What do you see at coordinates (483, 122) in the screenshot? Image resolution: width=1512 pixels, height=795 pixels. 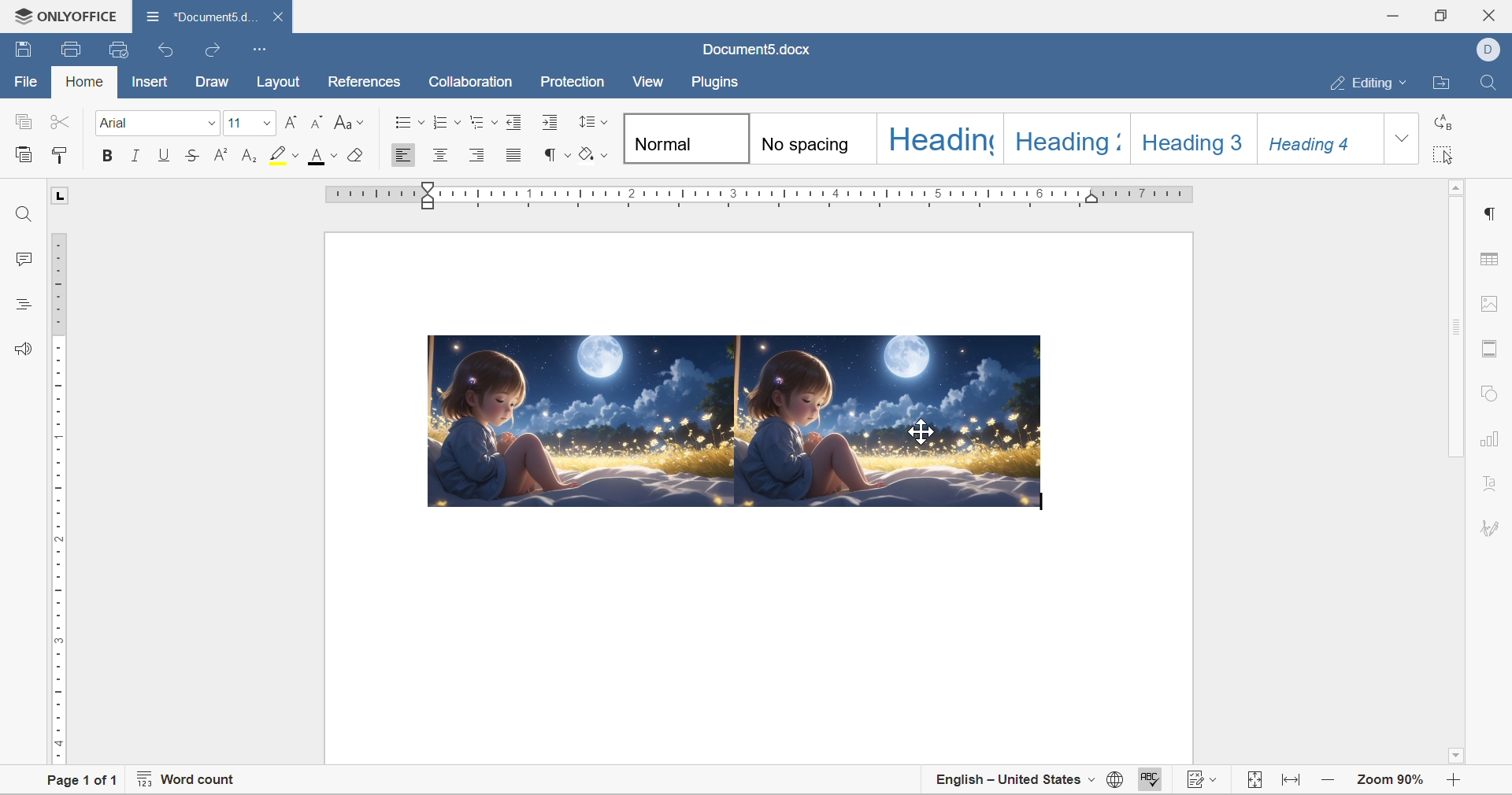 I see `multilevel list` at bounding box center [483, 122].